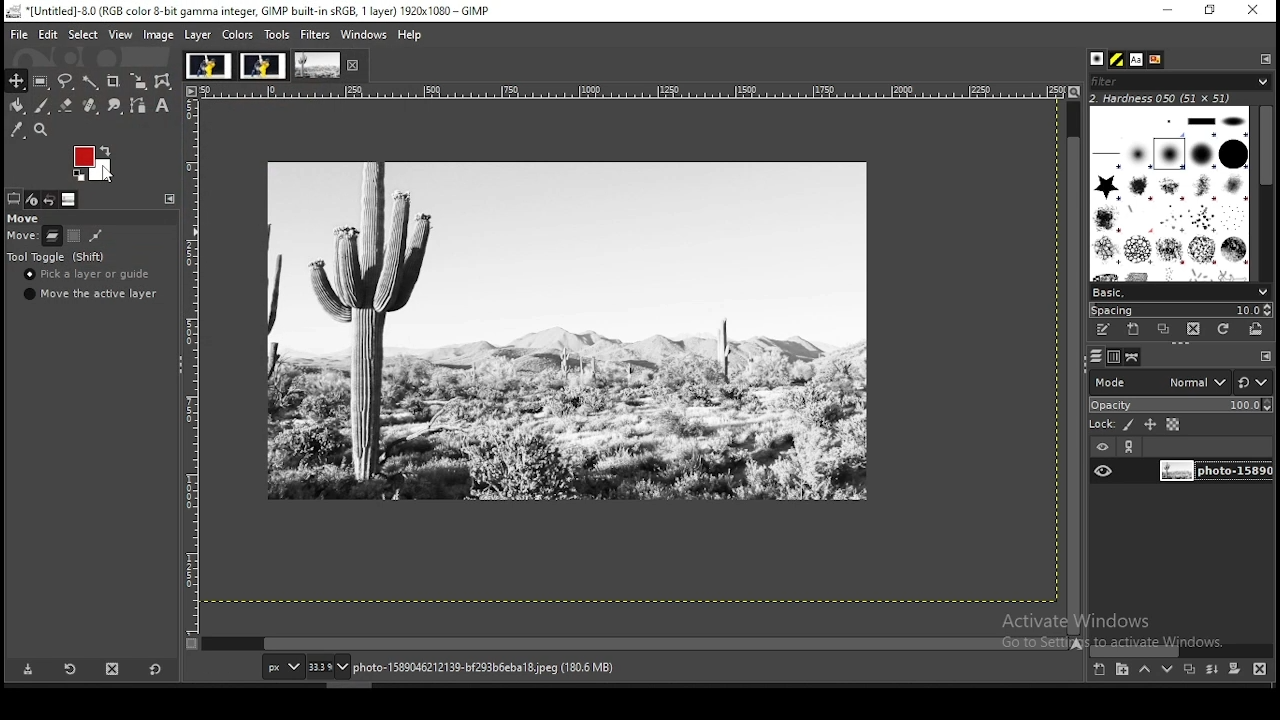  What do you see at coordinates (159, 35) in the screenshot?
I see `image` at bounding box center [159, 35].